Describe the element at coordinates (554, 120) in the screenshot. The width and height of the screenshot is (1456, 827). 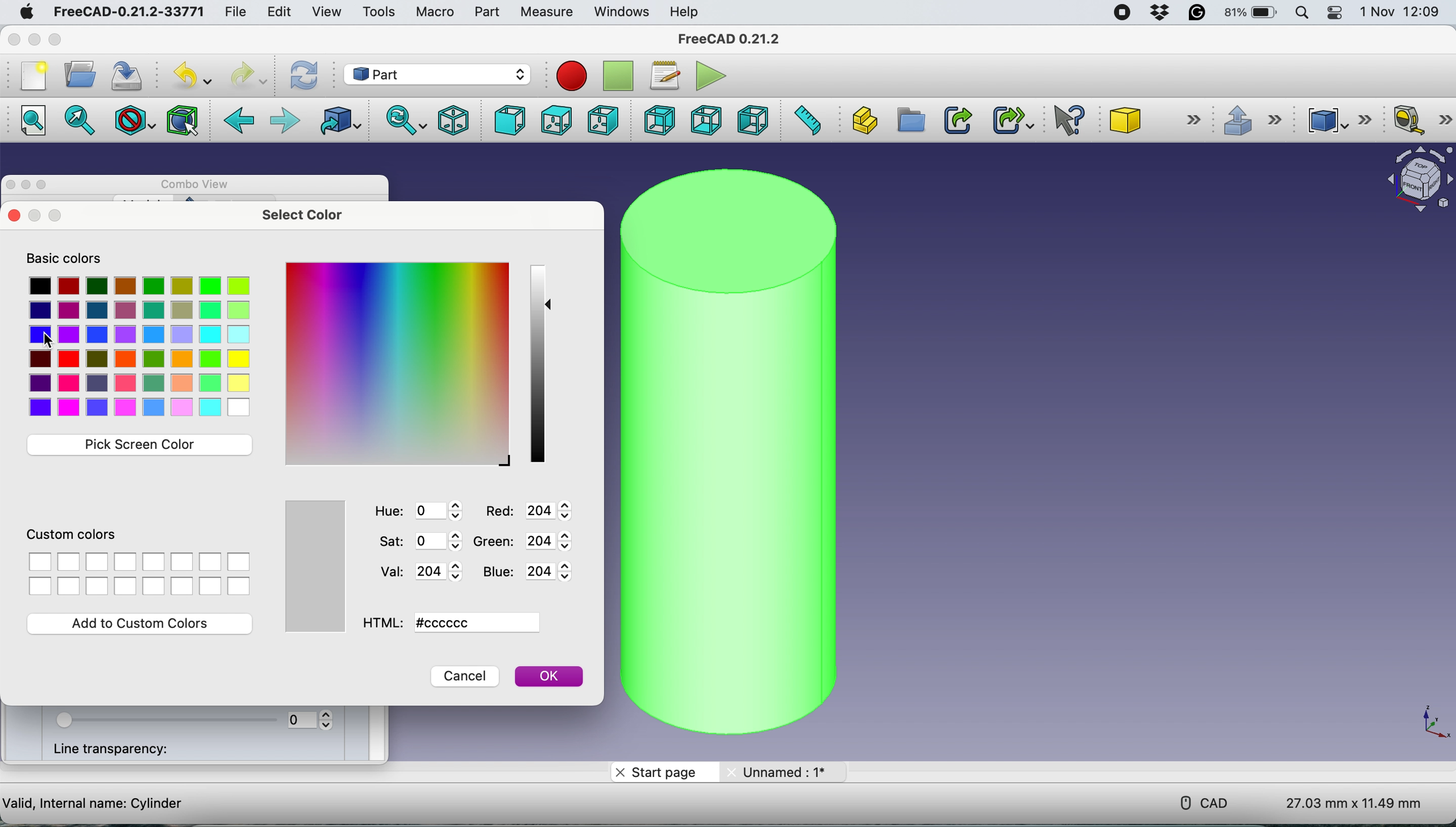
I see `top` at that location.